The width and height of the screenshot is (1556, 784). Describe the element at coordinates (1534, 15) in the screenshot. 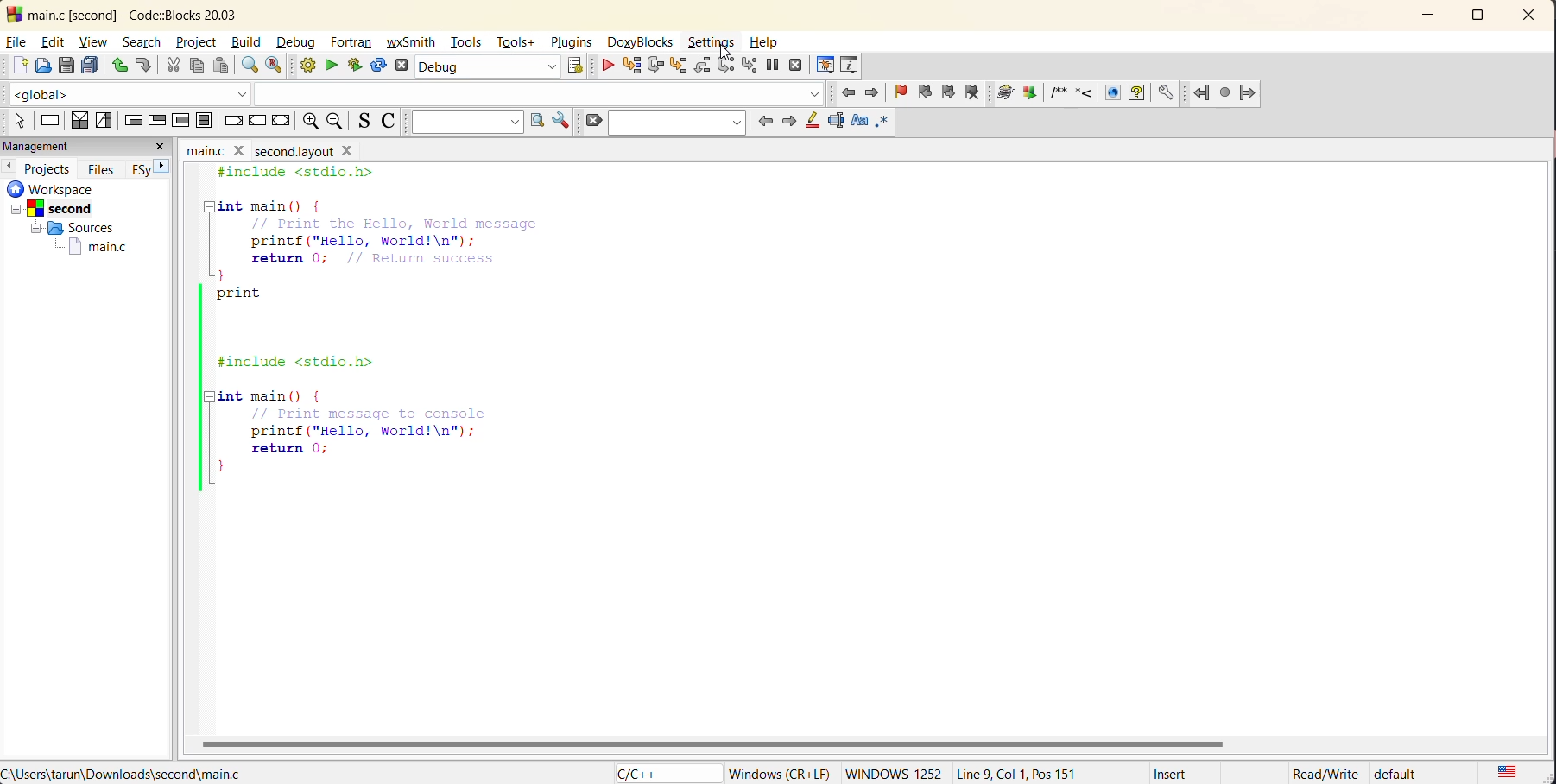

I see `close` at that location.